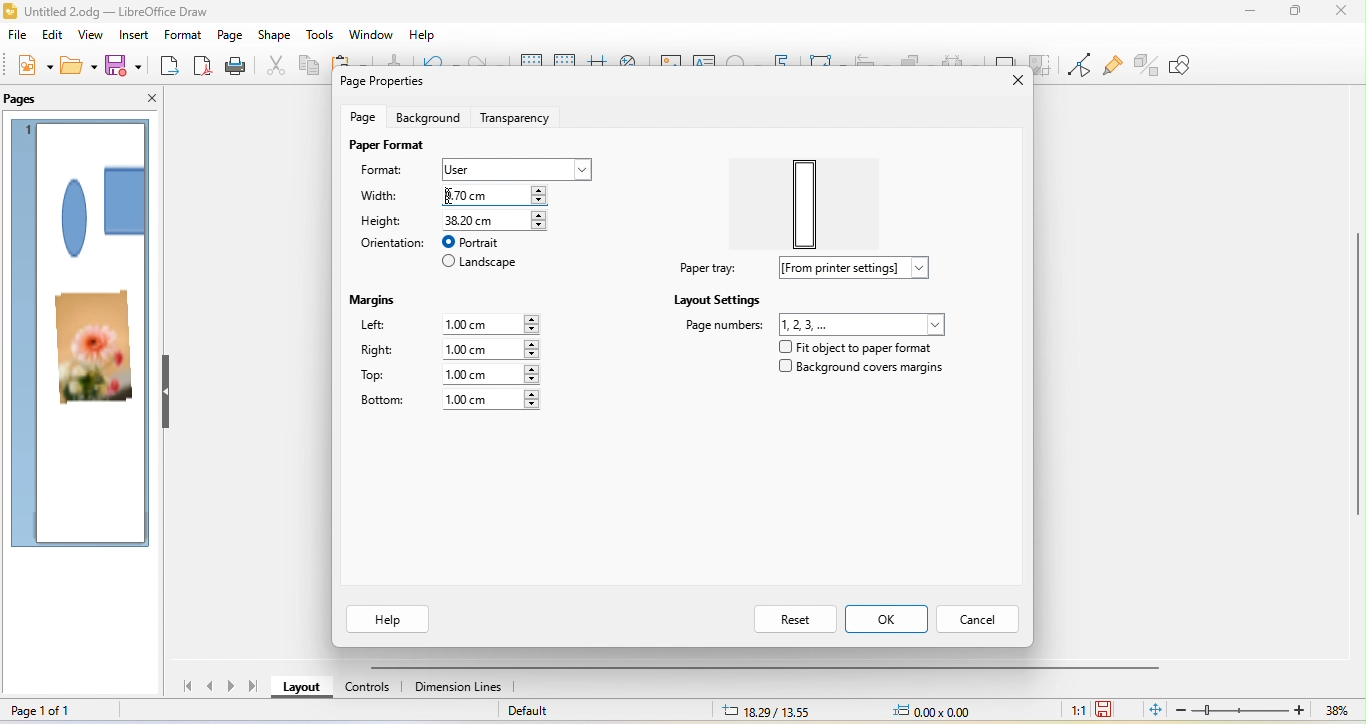 The image size is (1366, 724). I want to click on orientation, so click(392, 245).